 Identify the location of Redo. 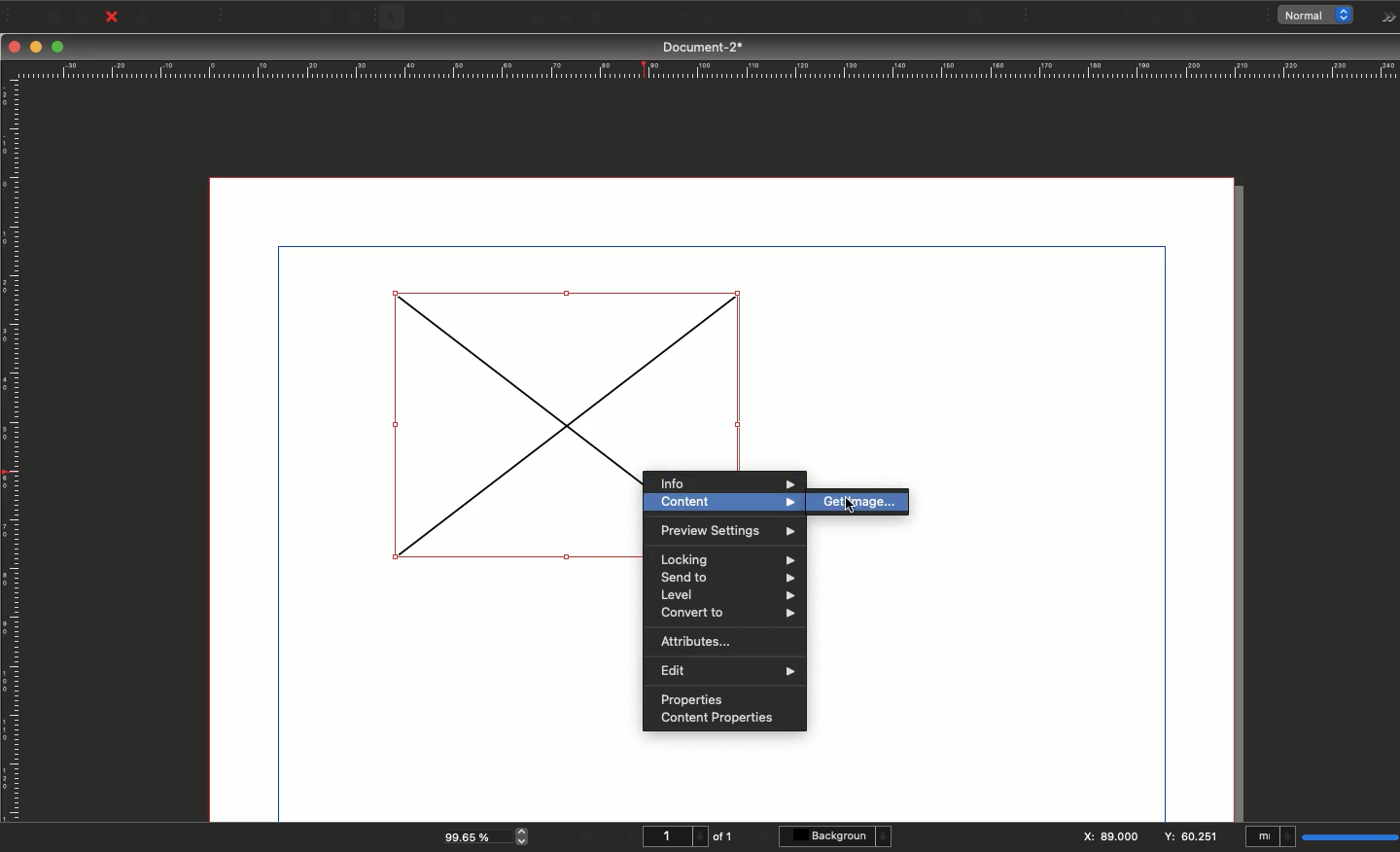
(267, 18).